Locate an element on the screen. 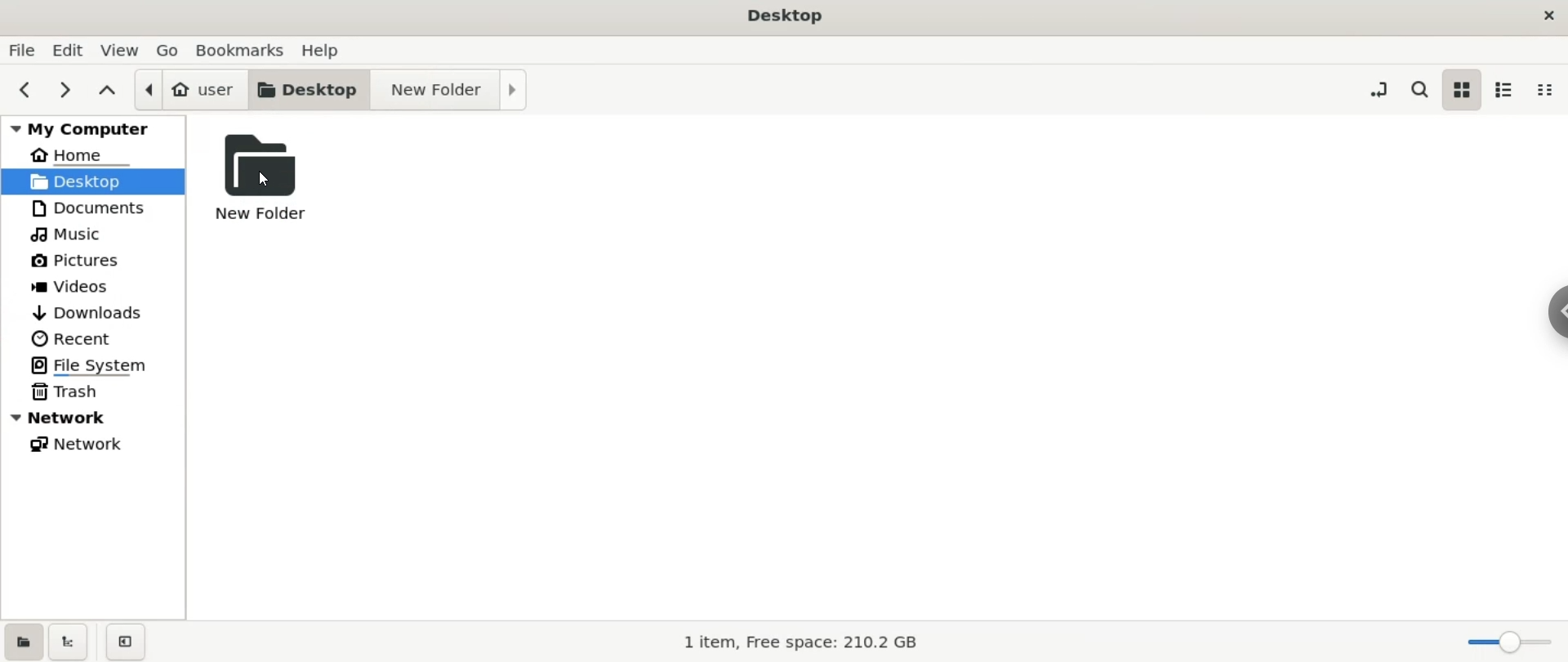  icon view  is located at coordinates (1459, 90).